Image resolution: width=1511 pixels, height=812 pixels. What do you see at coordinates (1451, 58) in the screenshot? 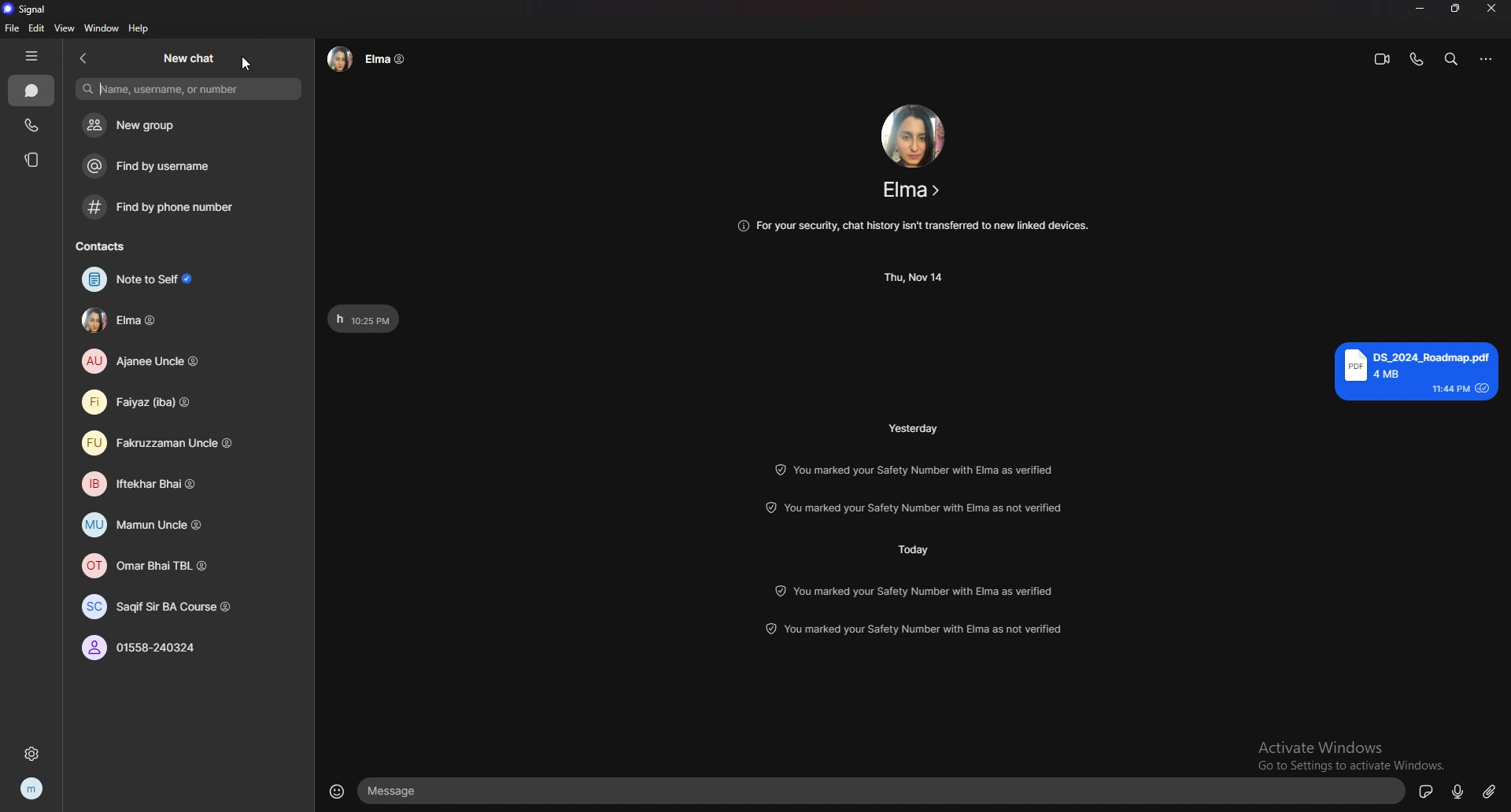
I see `message search` at bounding box center [1451, 58].